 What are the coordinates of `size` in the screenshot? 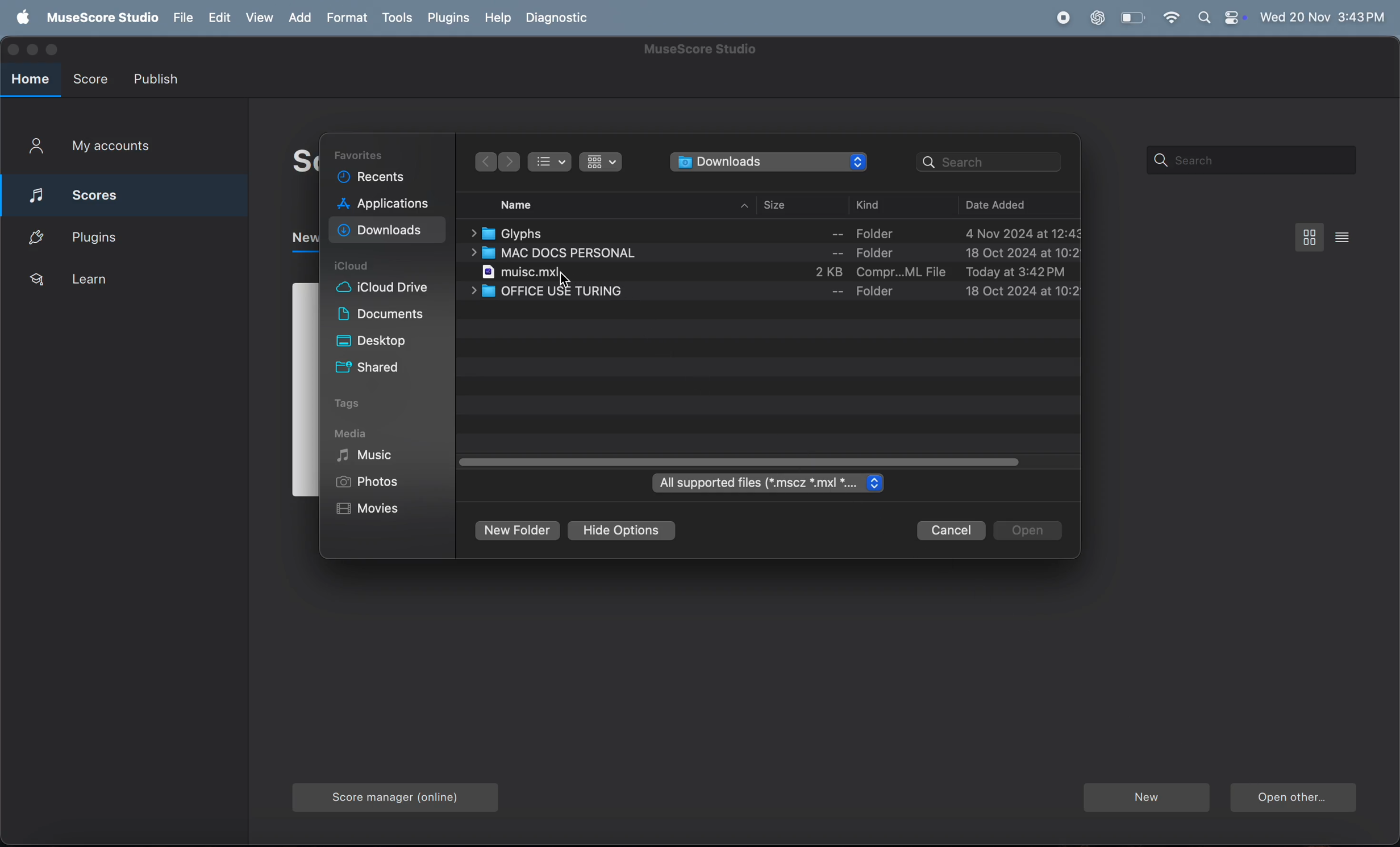 It's located at (794, 205).